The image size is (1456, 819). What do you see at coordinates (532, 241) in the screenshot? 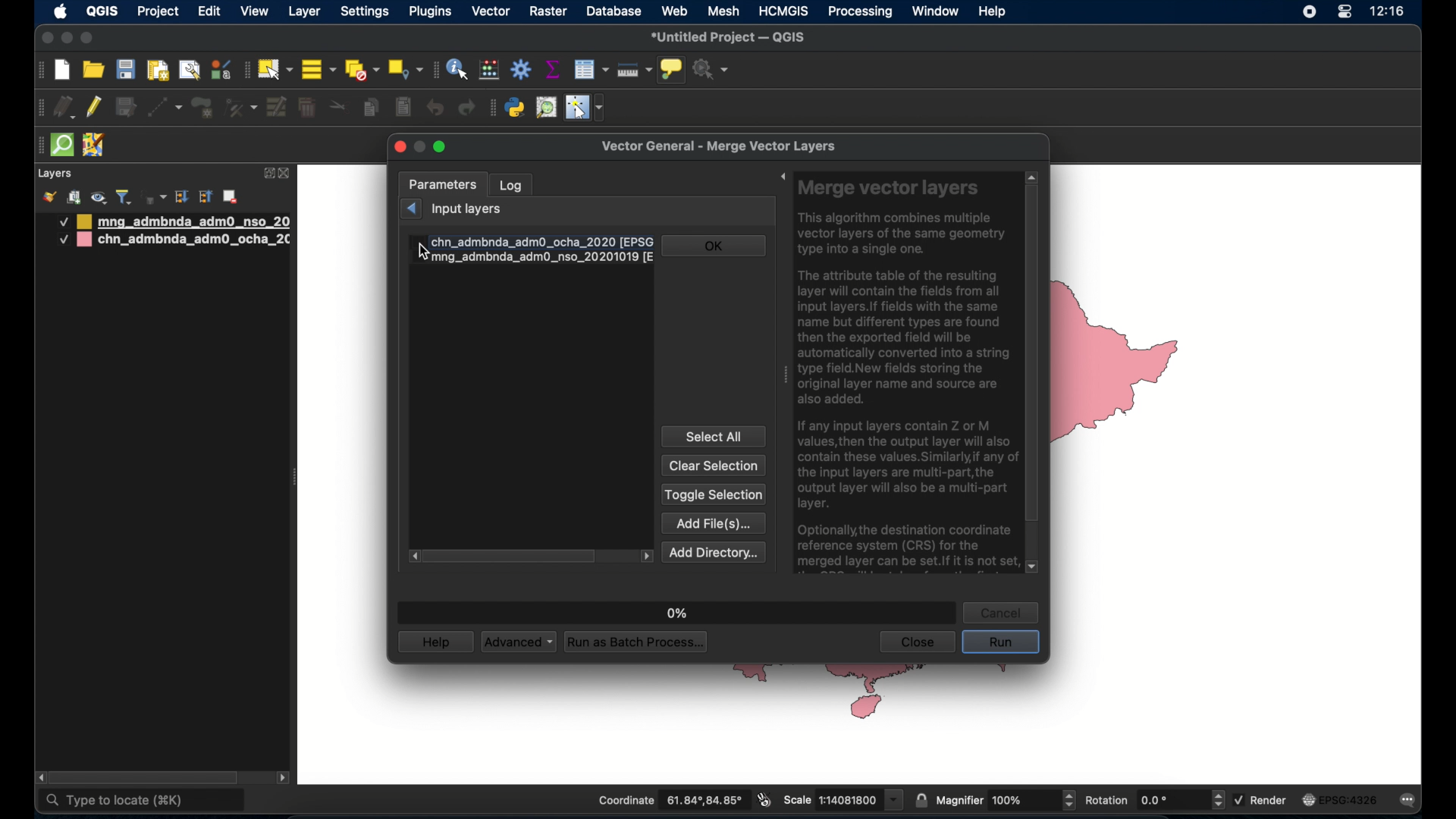
I see `input layer 1 checkbox` at bounding box center [532, 241].